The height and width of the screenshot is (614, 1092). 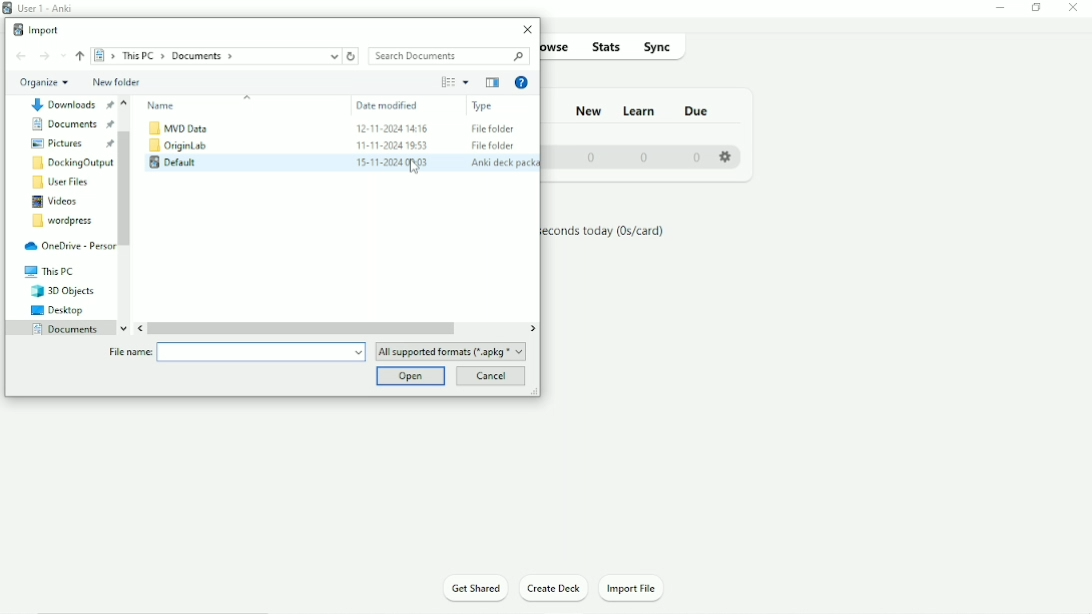 I want to click on Pictures, so click(x=72, y=143).